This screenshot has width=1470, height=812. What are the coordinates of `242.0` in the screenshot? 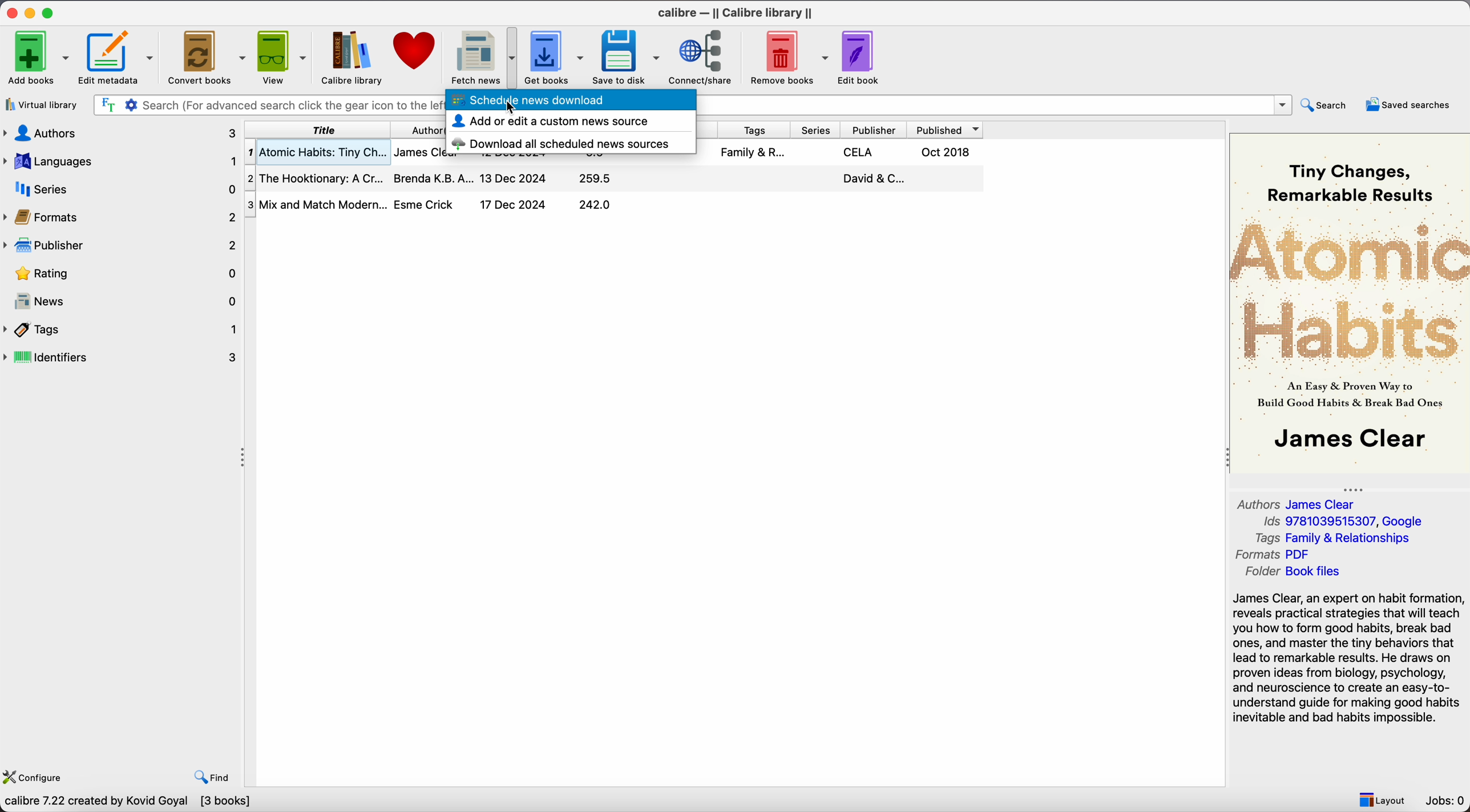 It's located at (595, 205).